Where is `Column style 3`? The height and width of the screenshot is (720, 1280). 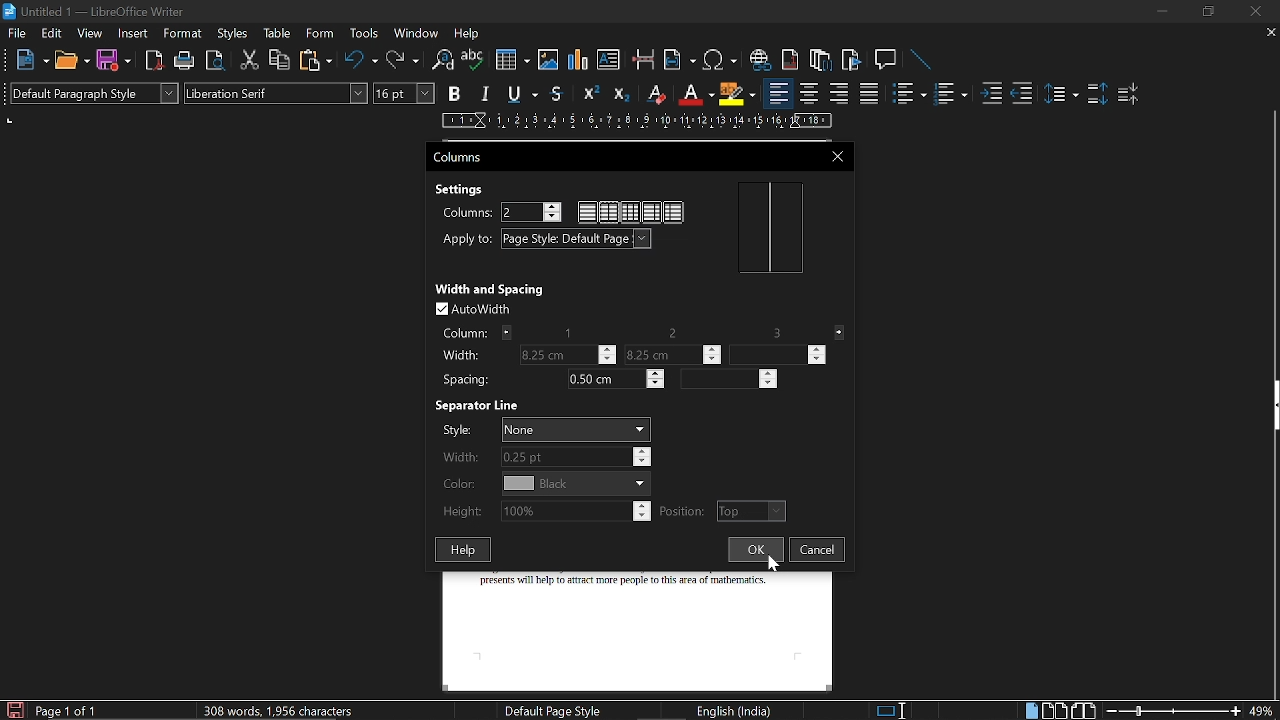
Column style 3 is located at coordinates (676, 212).